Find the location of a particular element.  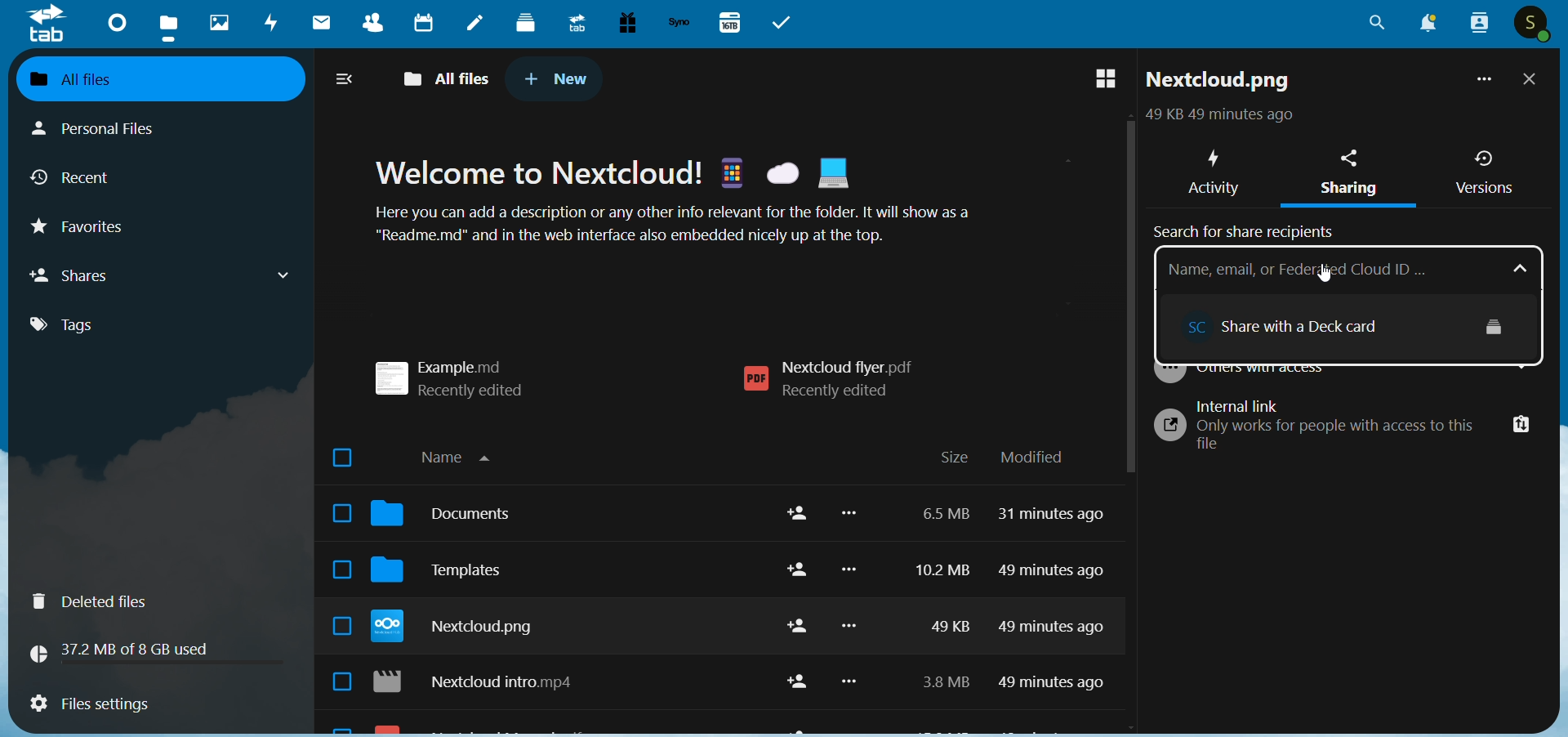

view is located at coordinates (1097, 80).